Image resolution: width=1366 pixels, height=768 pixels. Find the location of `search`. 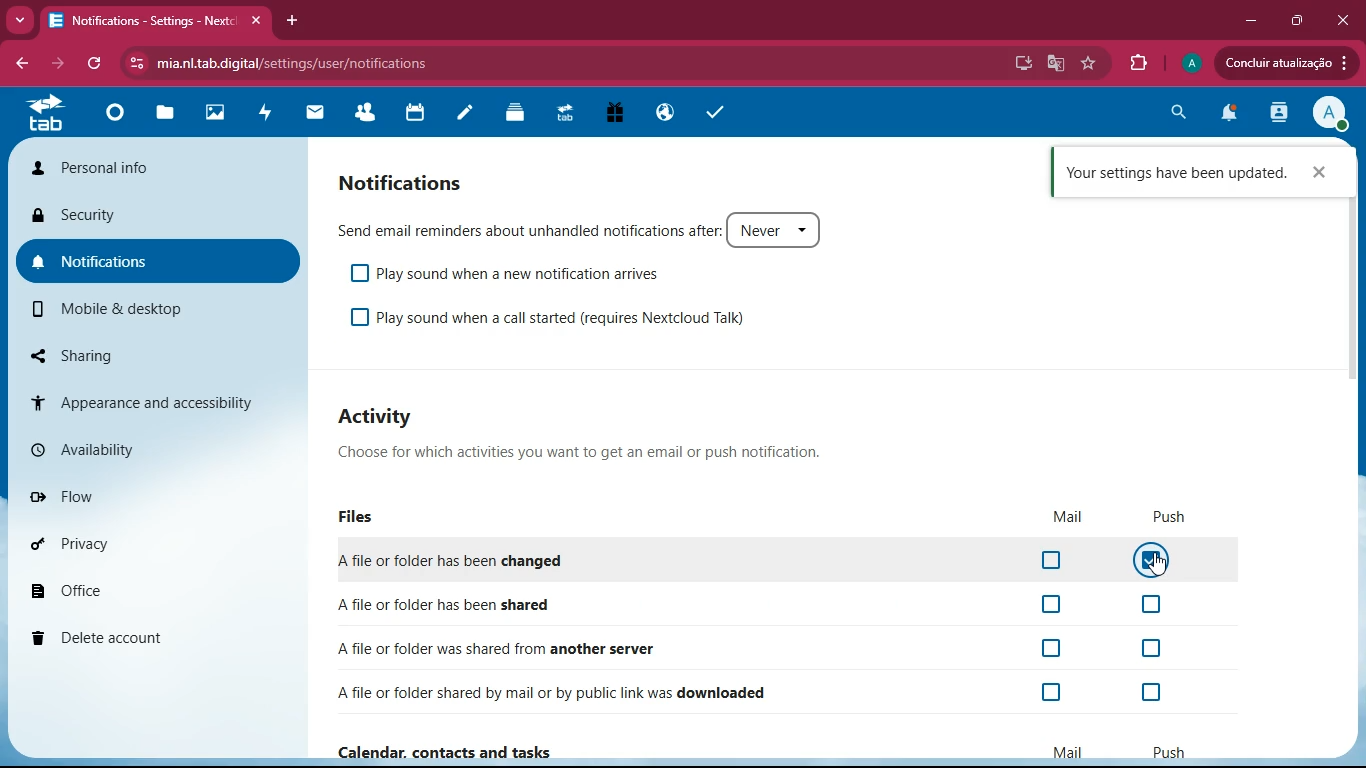

search is located at coordinates (1176, 114).